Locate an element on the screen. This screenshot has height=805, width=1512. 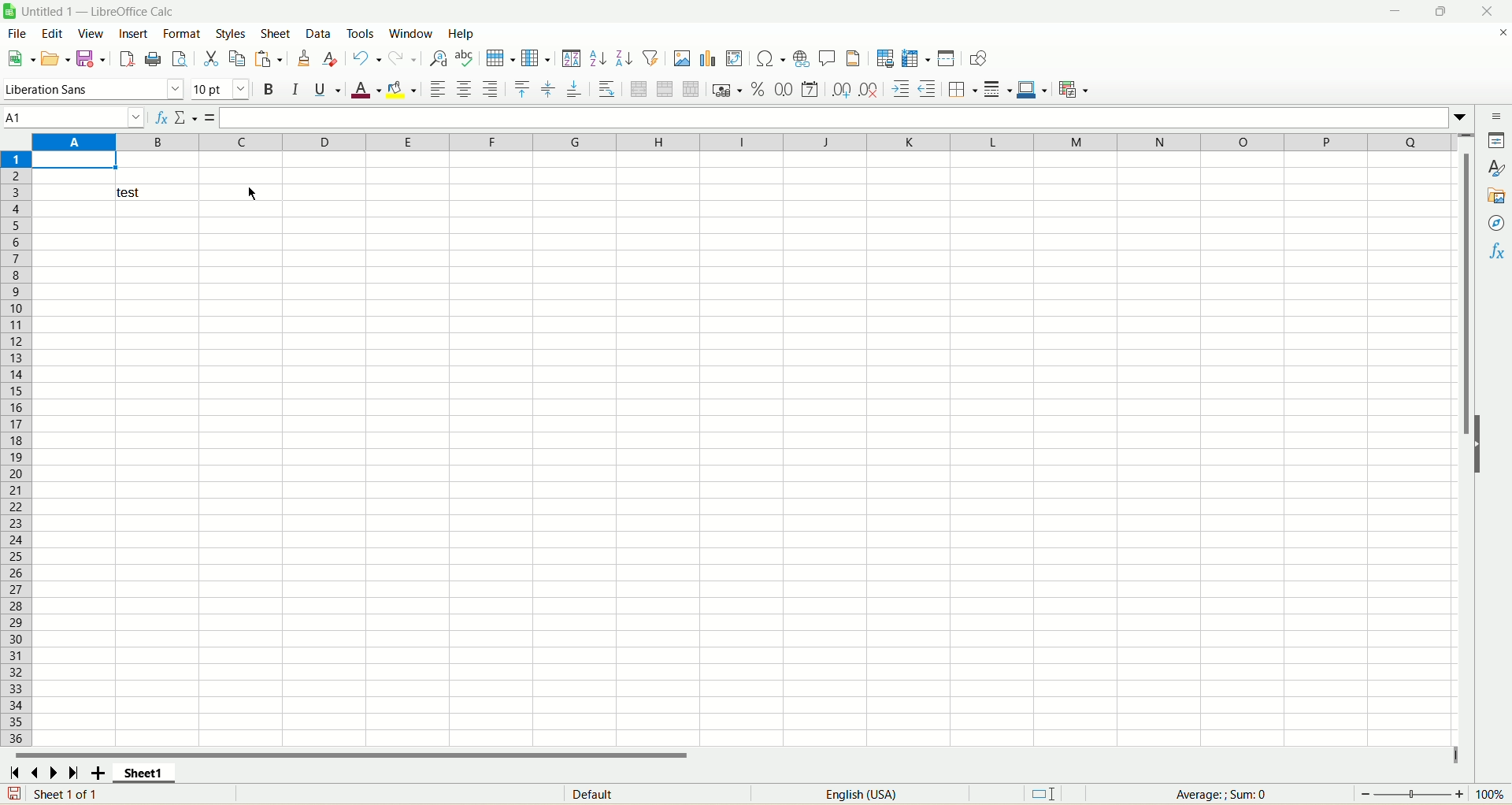
Navigator is located at coordinates (1495, 223).